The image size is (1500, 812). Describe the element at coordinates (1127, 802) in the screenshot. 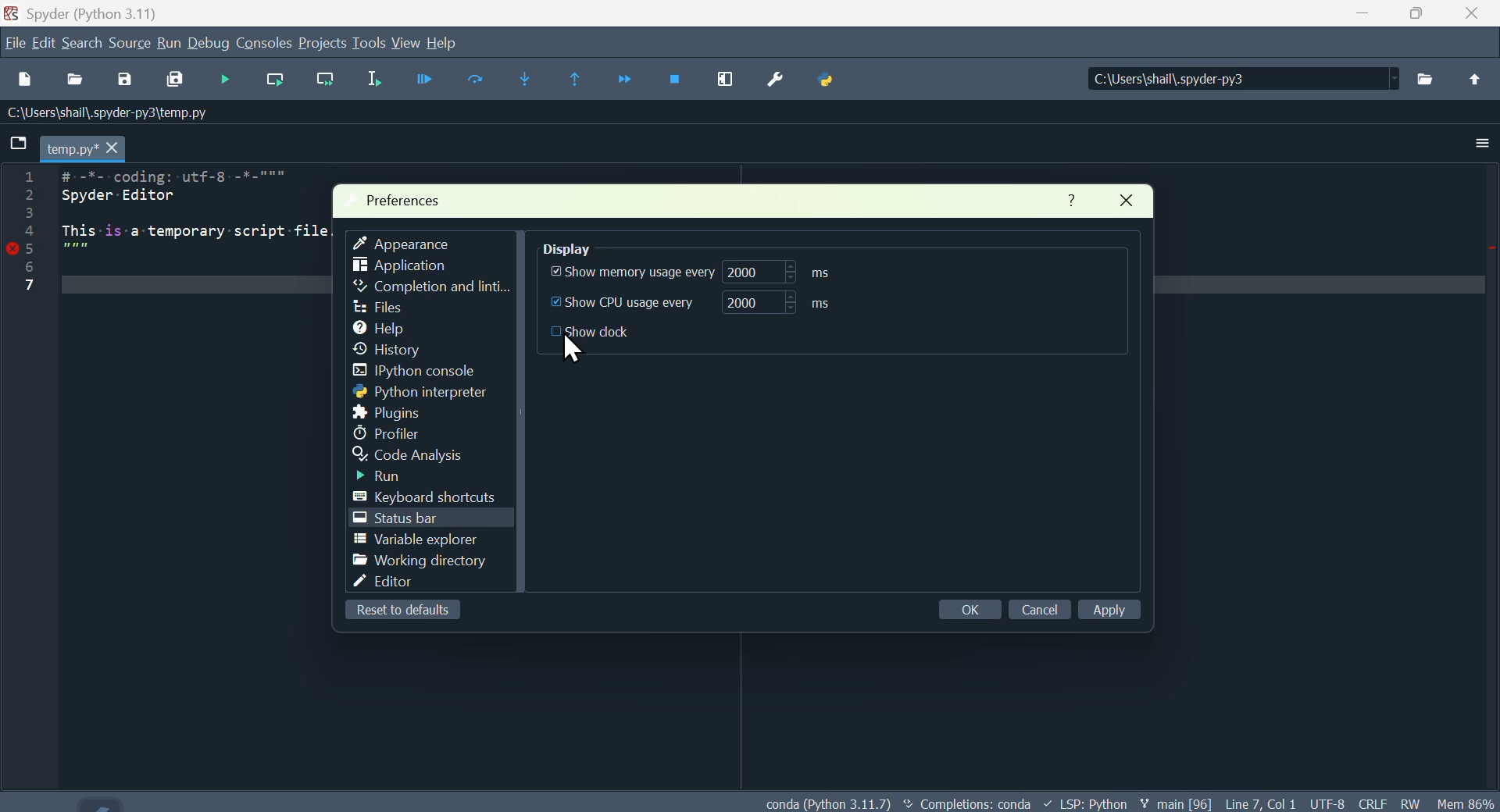

I see `conda (Pvthon 3.11.7) < Completions: conda + LSP: Pvthon ¥ main [961 Line7 Coll UTF-8 CRLF RW Ms` at that location.